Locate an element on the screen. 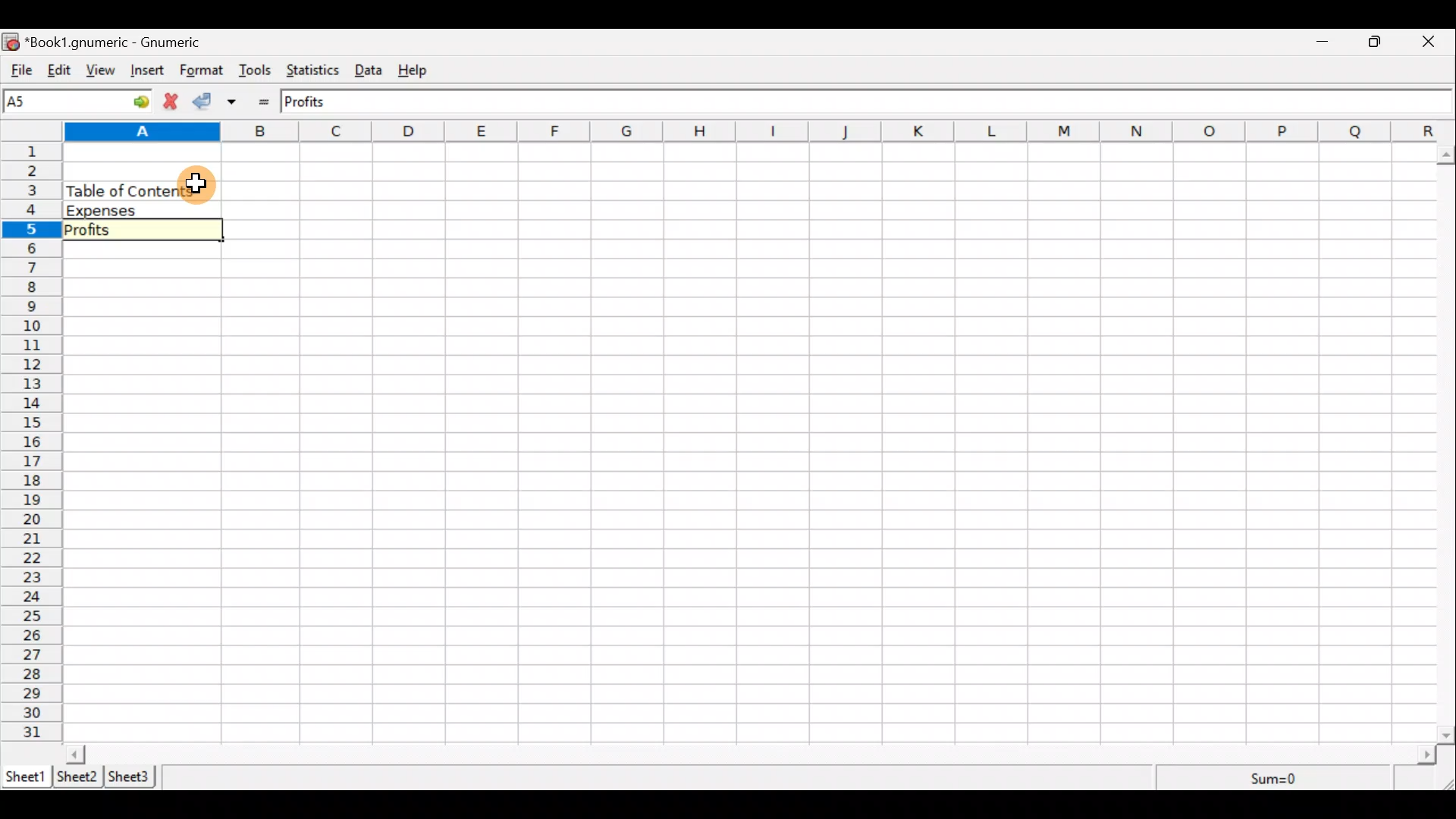 The image size is (1456, 819). Selected cell "Profits" is located at coordinates (140, 231).